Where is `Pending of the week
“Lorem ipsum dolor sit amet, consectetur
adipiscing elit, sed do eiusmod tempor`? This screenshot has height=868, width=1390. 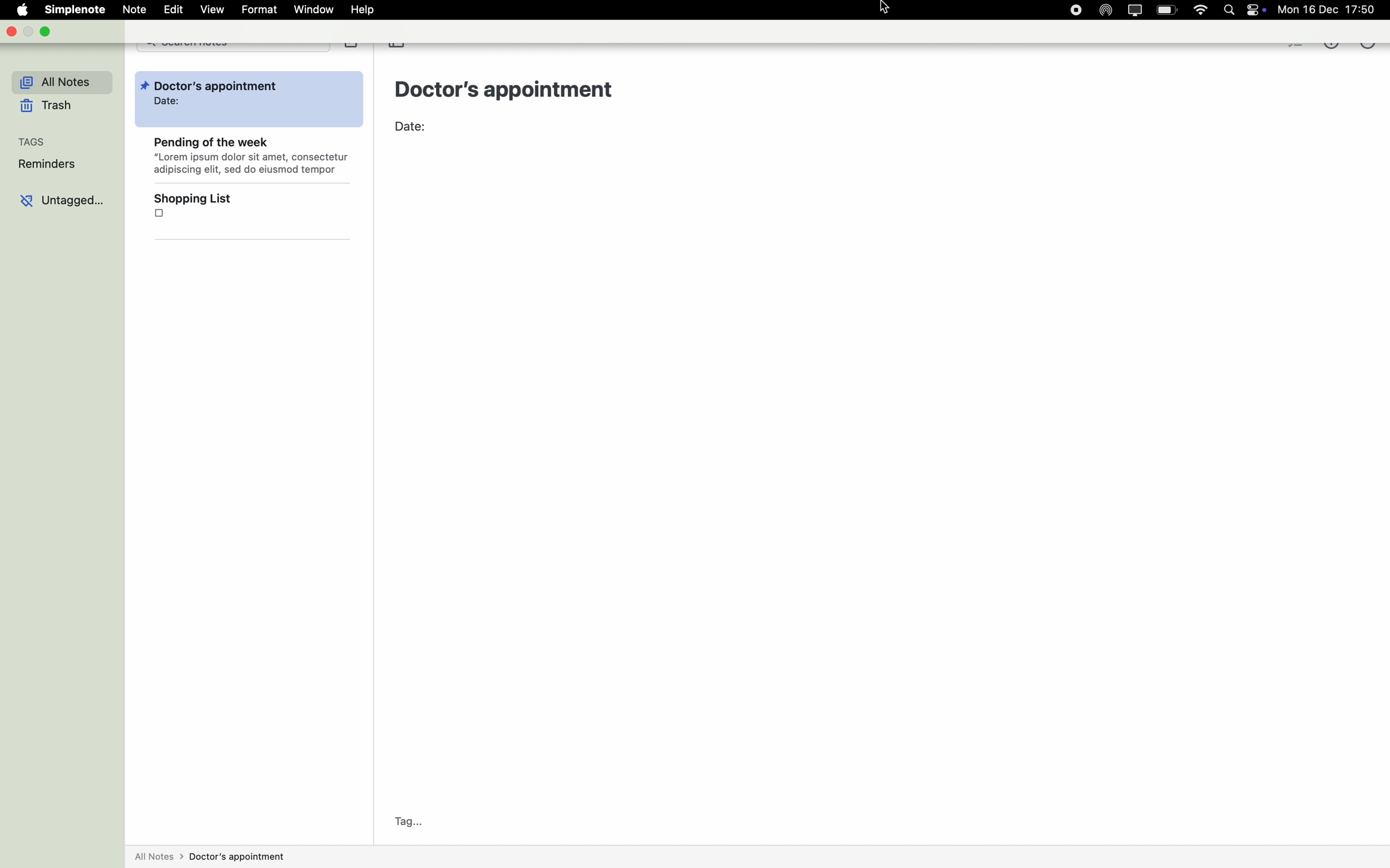
Pending of the week
“Lorem ipsum dolor sit amet, consectetur
adipiscing elit, sed do eiusmod tempor is located at coordinates (249, 158).